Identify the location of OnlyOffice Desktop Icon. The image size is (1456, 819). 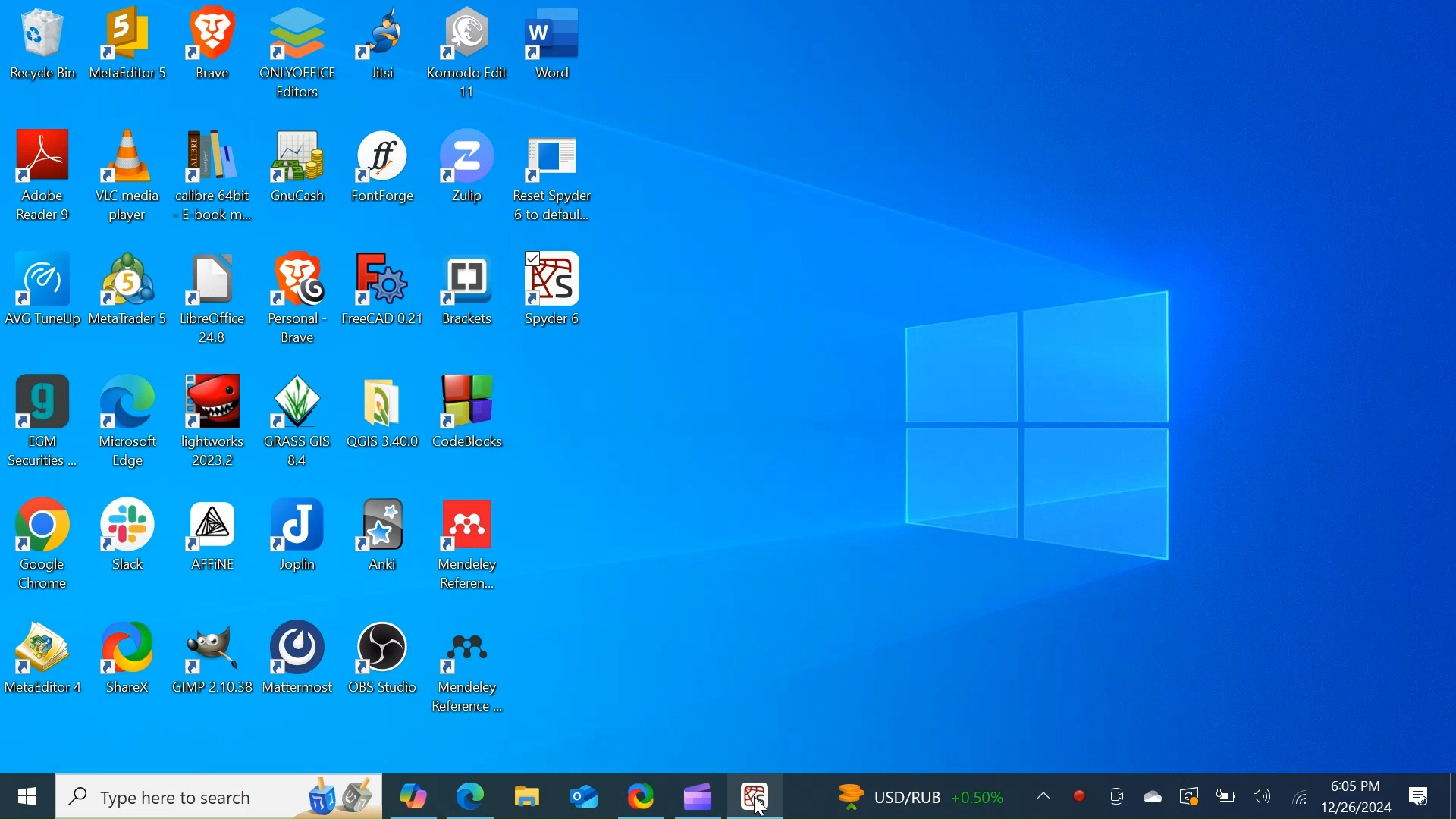
(297, 55).